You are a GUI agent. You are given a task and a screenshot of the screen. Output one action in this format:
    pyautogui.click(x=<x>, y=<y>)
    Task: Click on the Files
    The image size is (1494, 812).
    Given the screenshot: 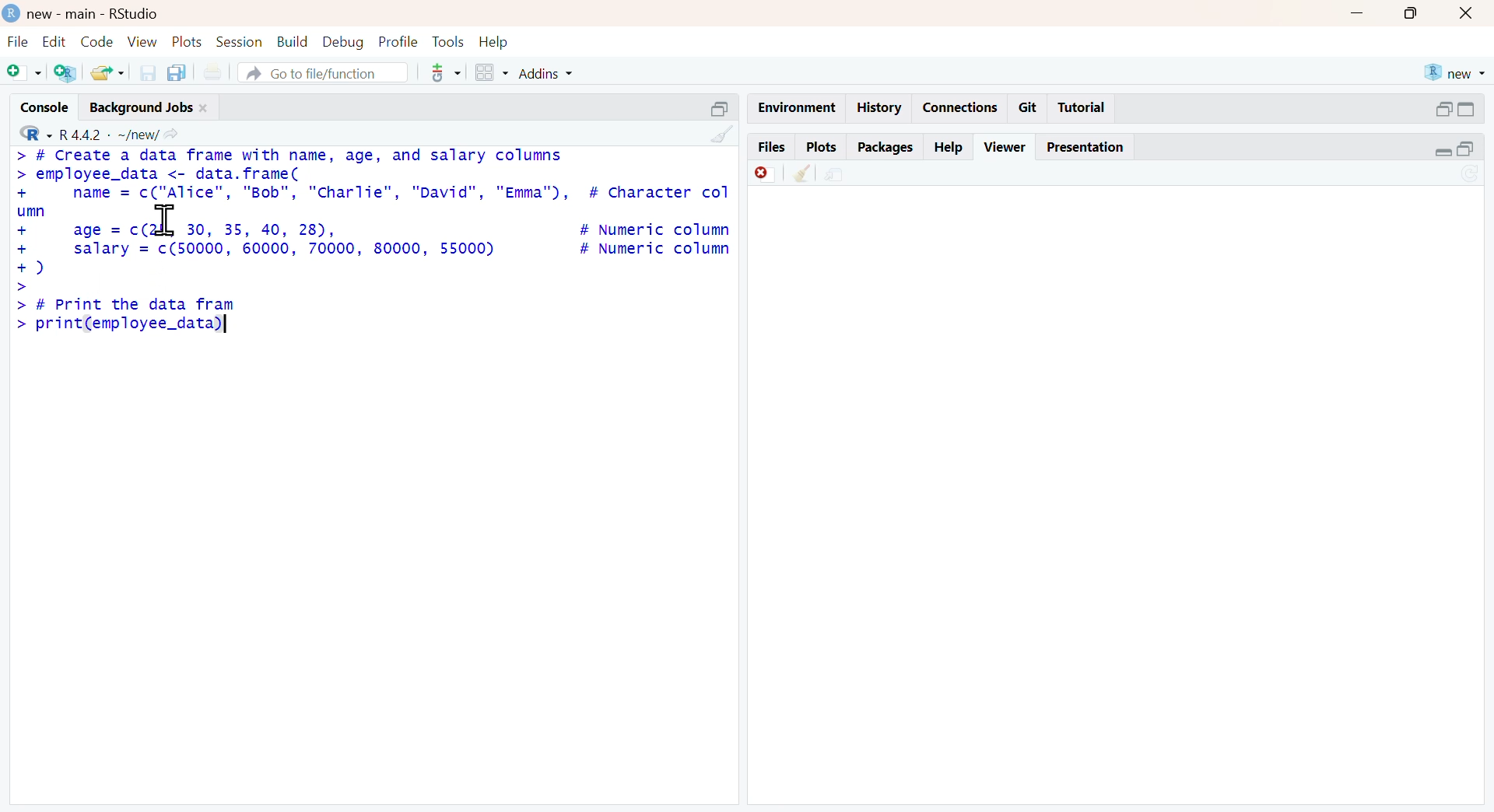 What is the action you would take?
    pyautogui.click(x=772, y=147)
    